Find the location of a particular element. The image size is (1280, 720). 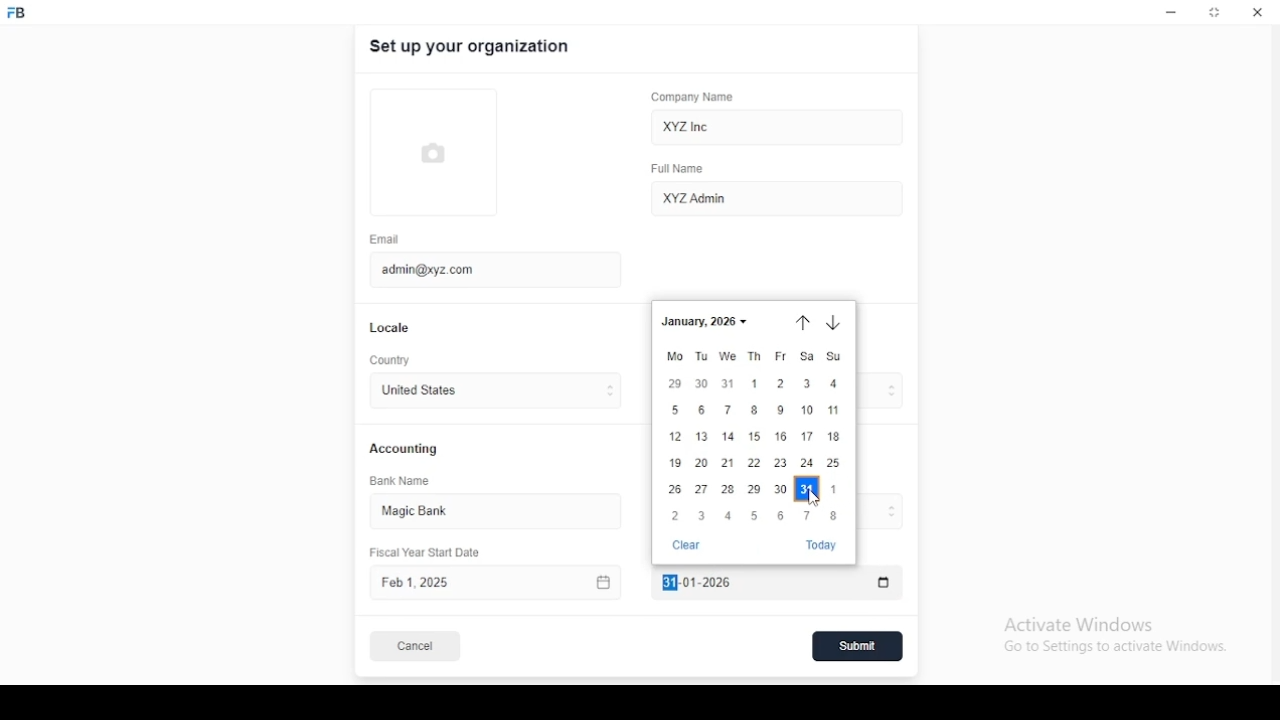

9 is located at coordinates (780, 410).